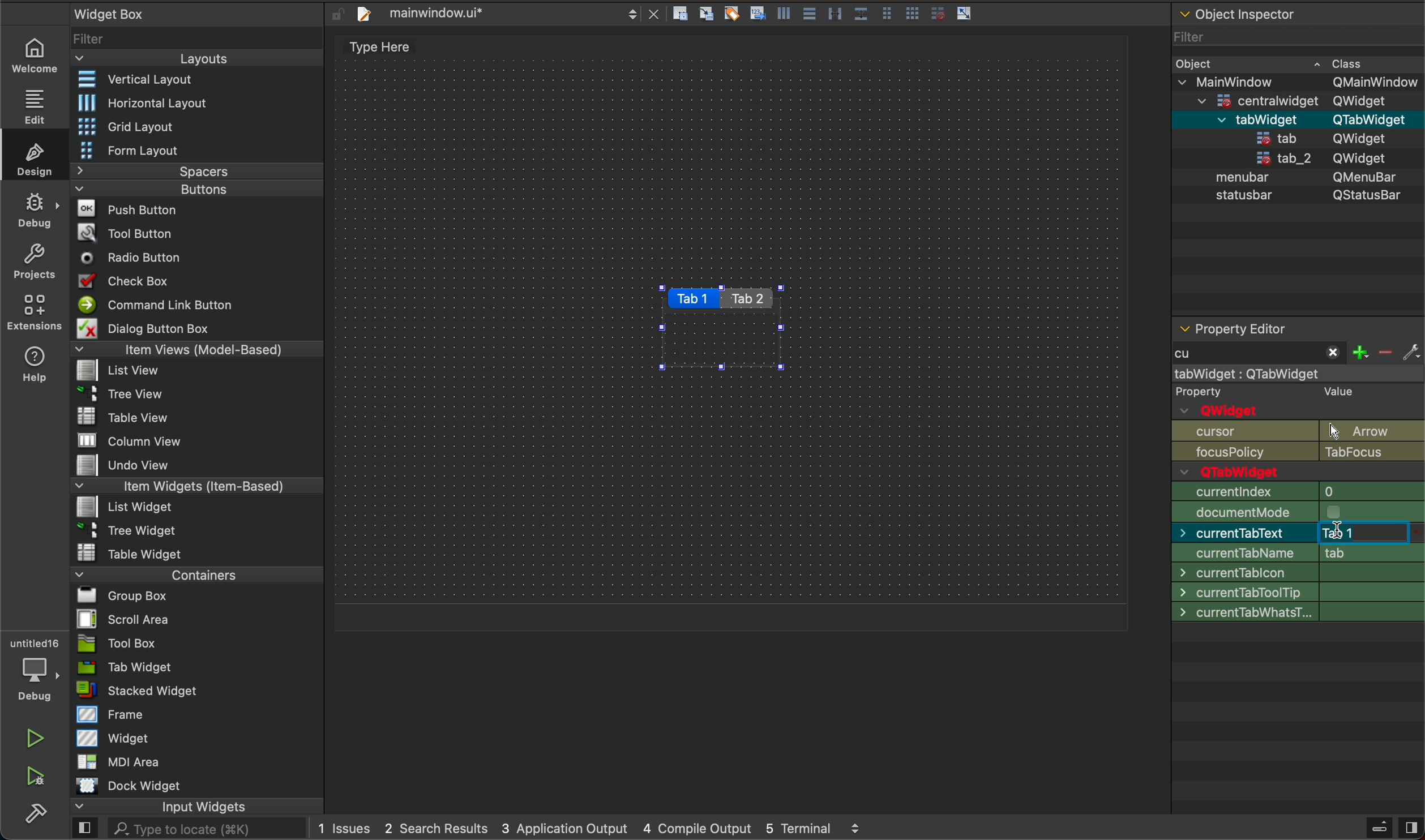 The width and height of the screenshot is (1425, 840). What do you see at coordinates (122, 593) in the screenshot?
I see `Bl Group Box` at bounding box center [122, 593].